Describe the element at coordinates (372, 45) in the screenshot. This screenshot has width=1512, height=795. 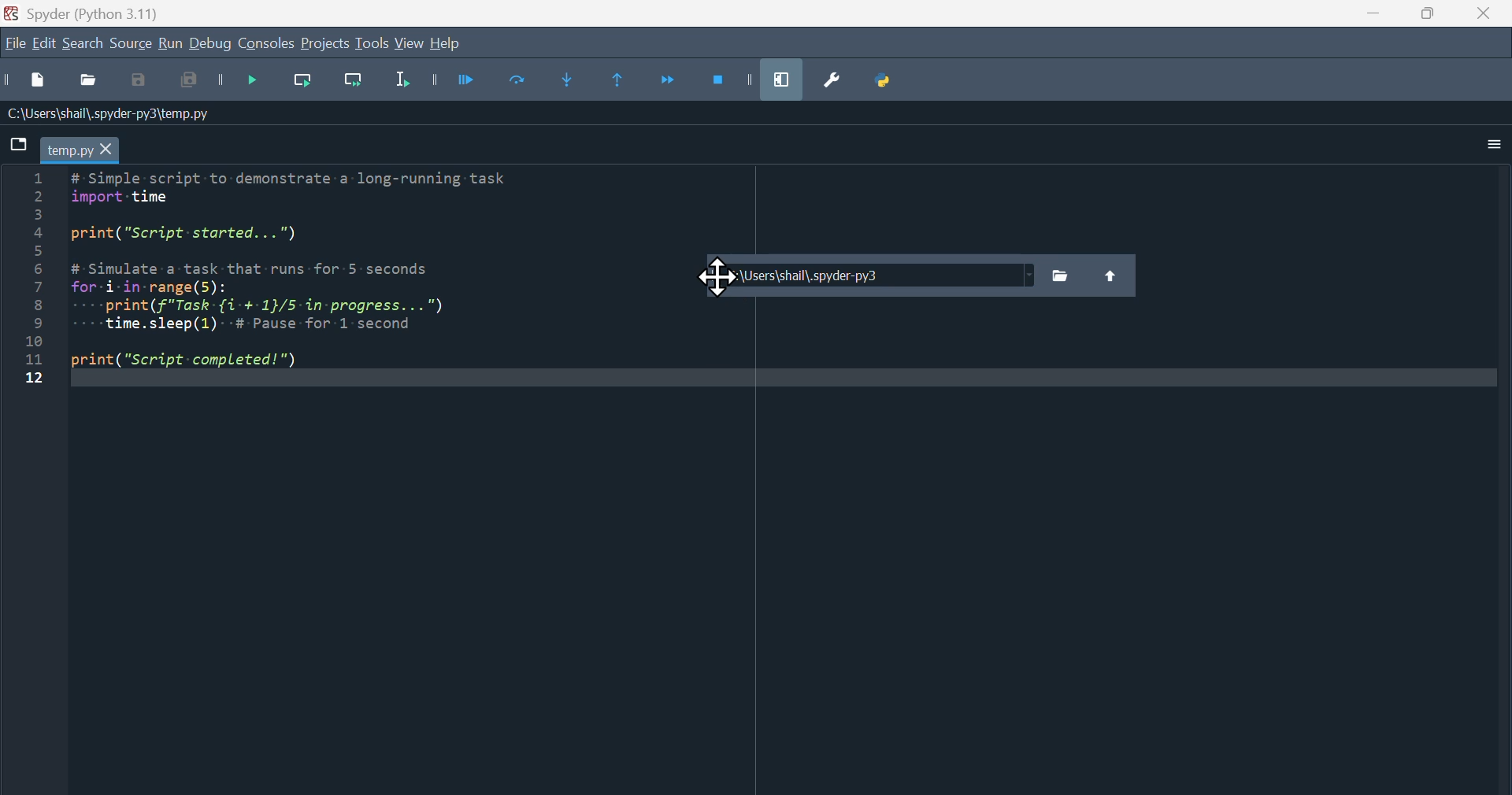
I see `Tools` at that location.